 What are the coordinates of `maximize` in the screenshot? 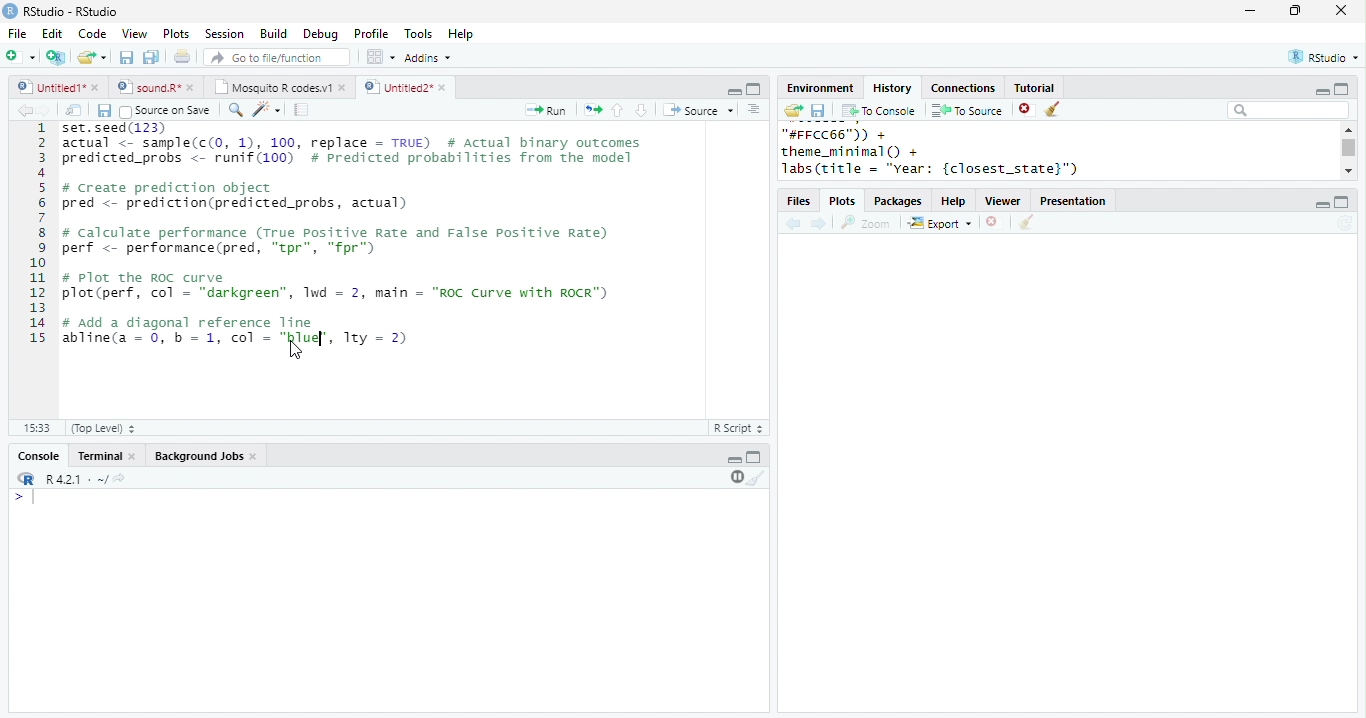 It's located at (753, 89).